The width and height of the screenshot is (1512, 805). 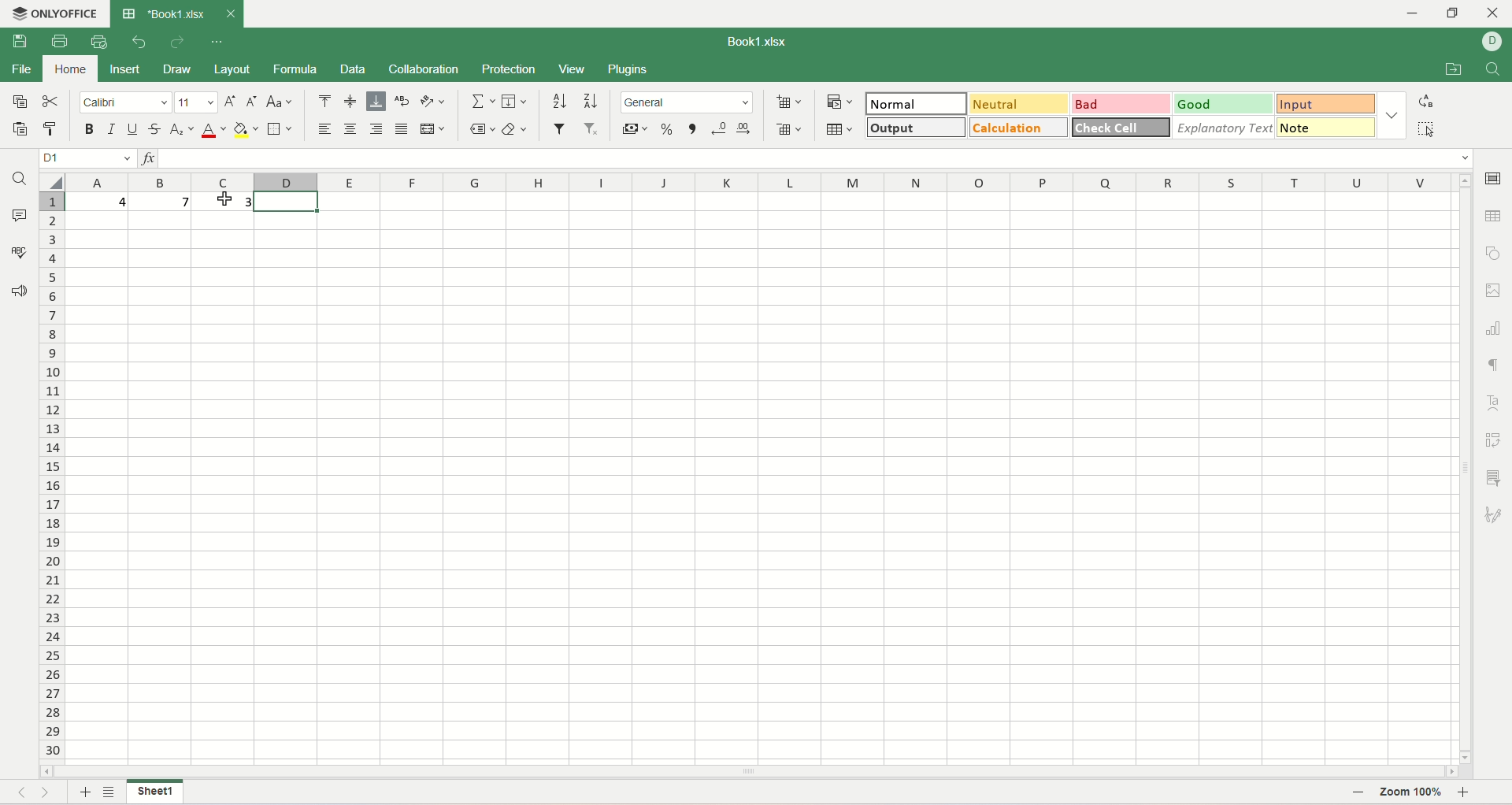 I want to click on strikethrough, so click(x=155, y=129).